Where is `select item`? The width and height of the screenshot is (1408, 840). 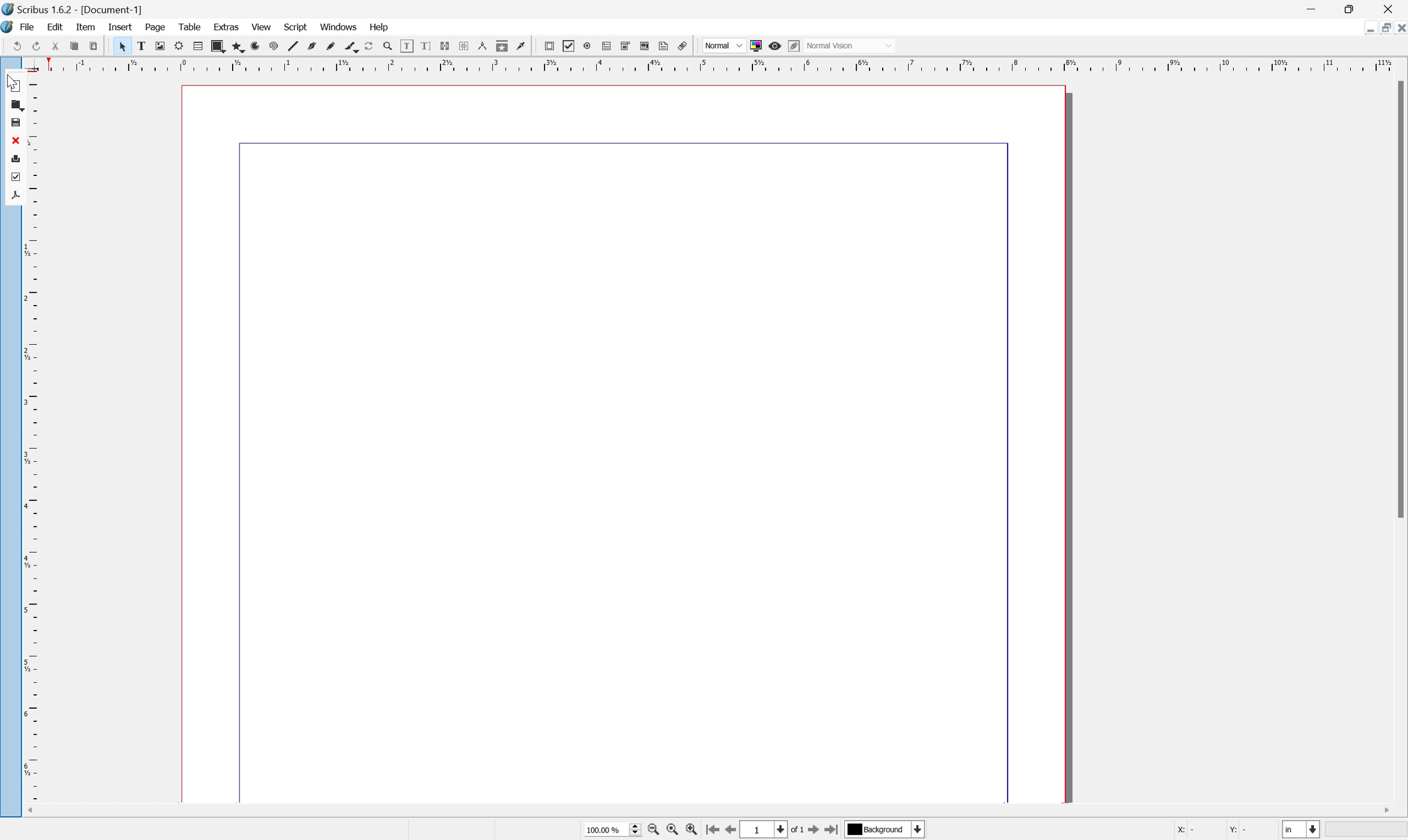
select item is located at coordinates (254, 46).